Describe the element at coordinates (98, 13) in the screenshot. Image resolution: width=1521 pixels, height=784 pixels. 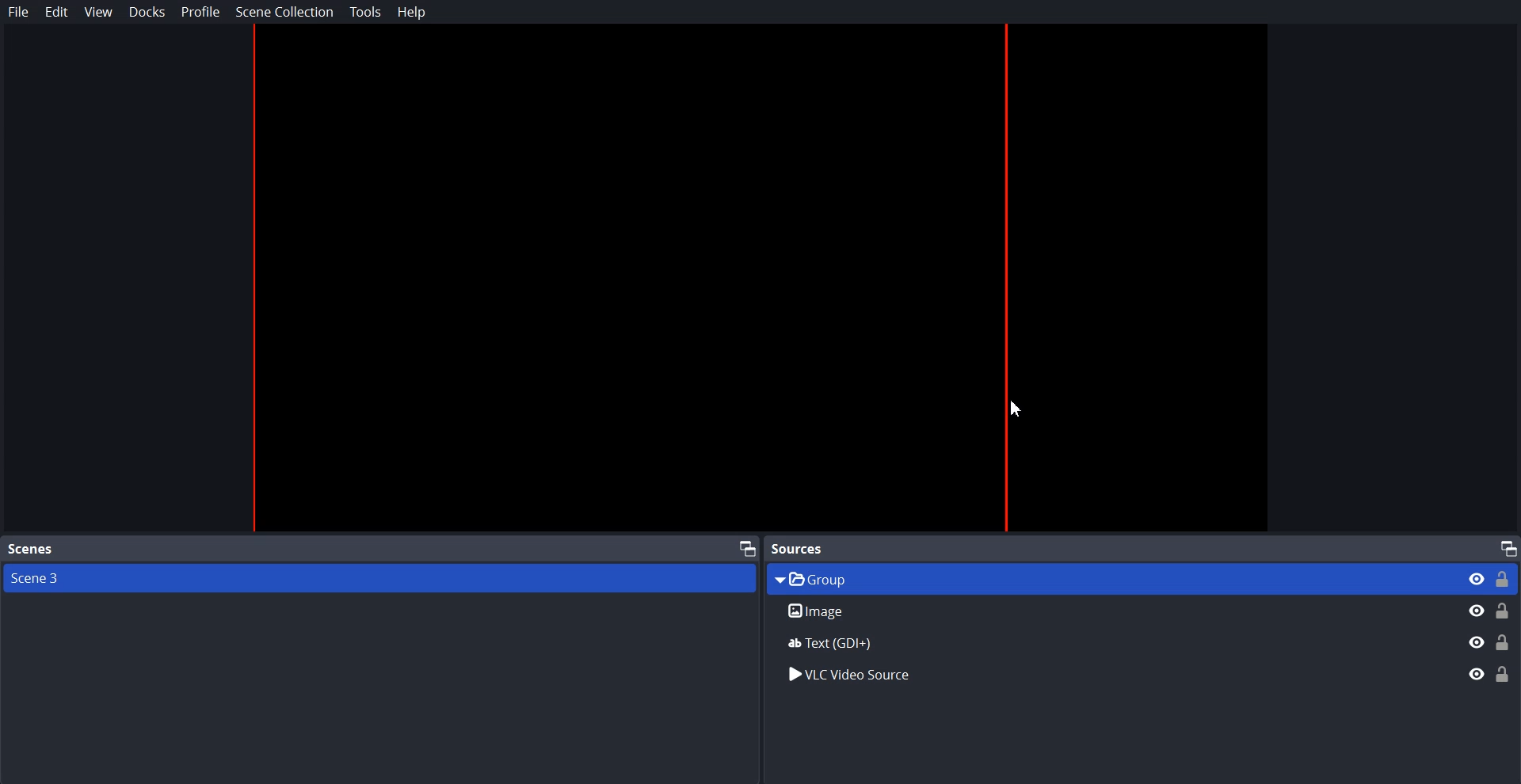
I see `View` at that location.